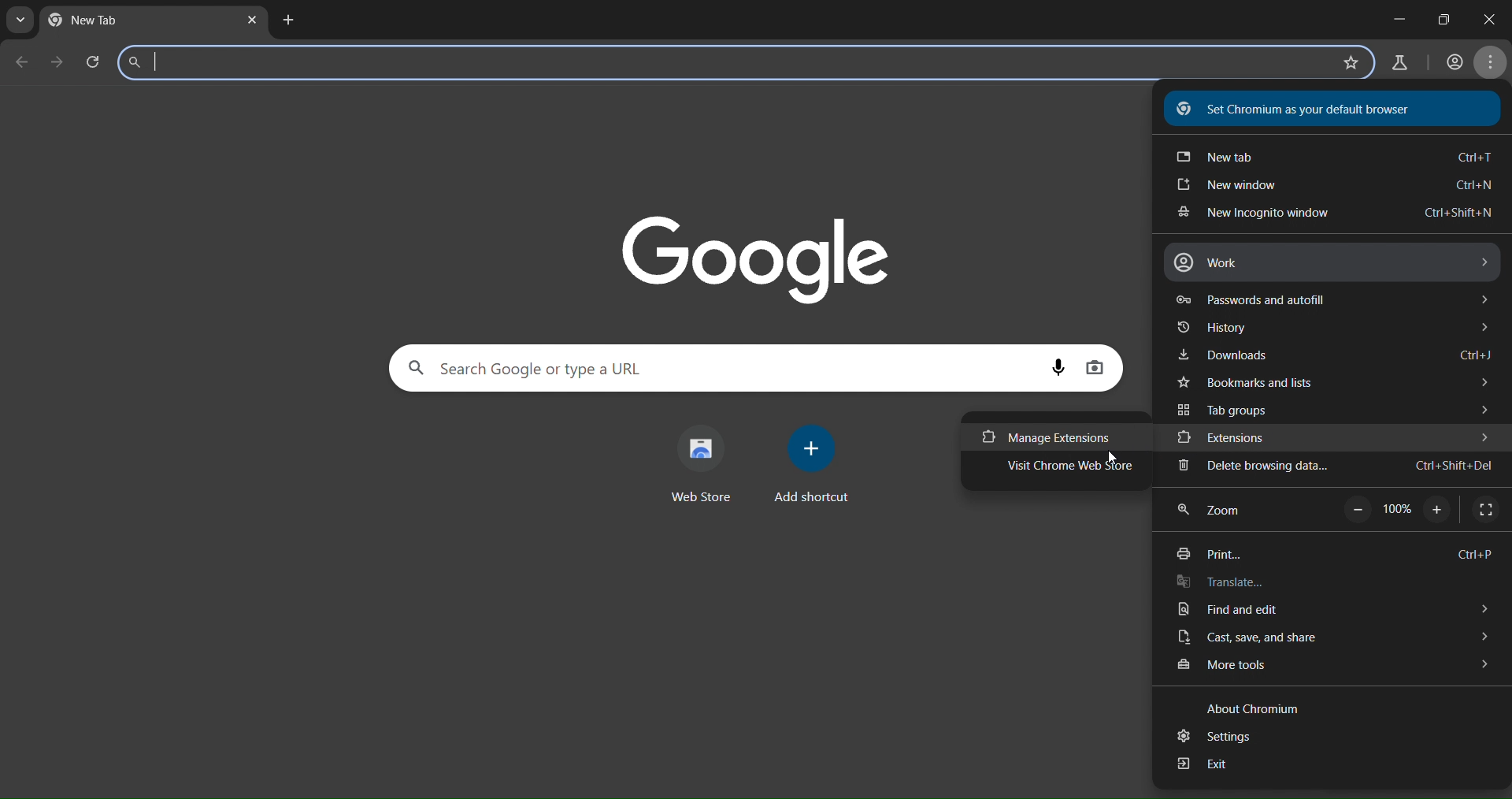  I want to click on more tools, so click(1336, 667).